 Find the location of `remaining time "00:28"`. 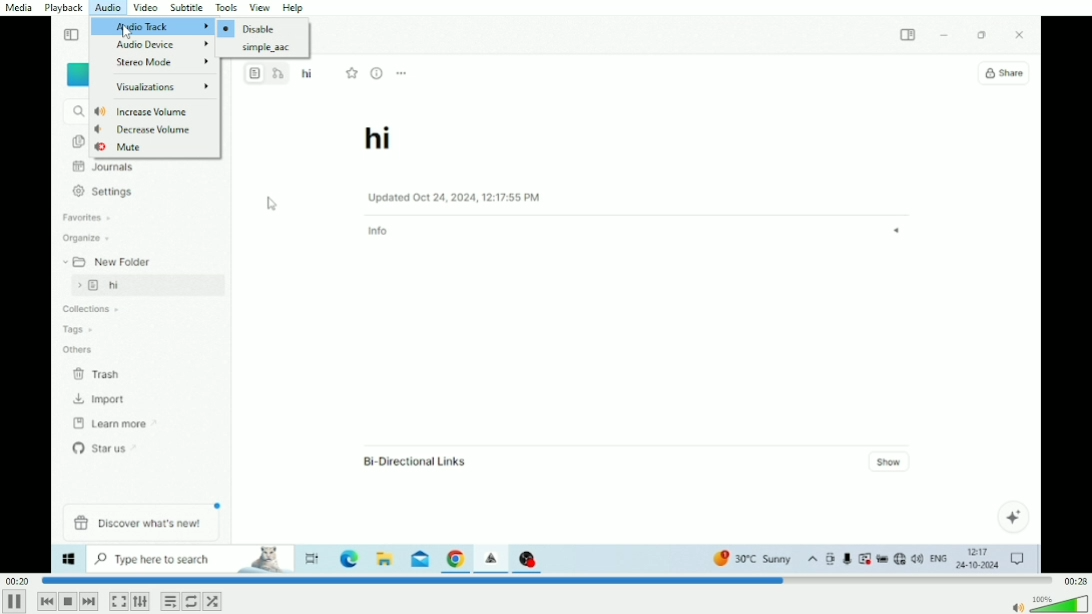

remaining time "00:28" is located at coordinates (1074, 580).